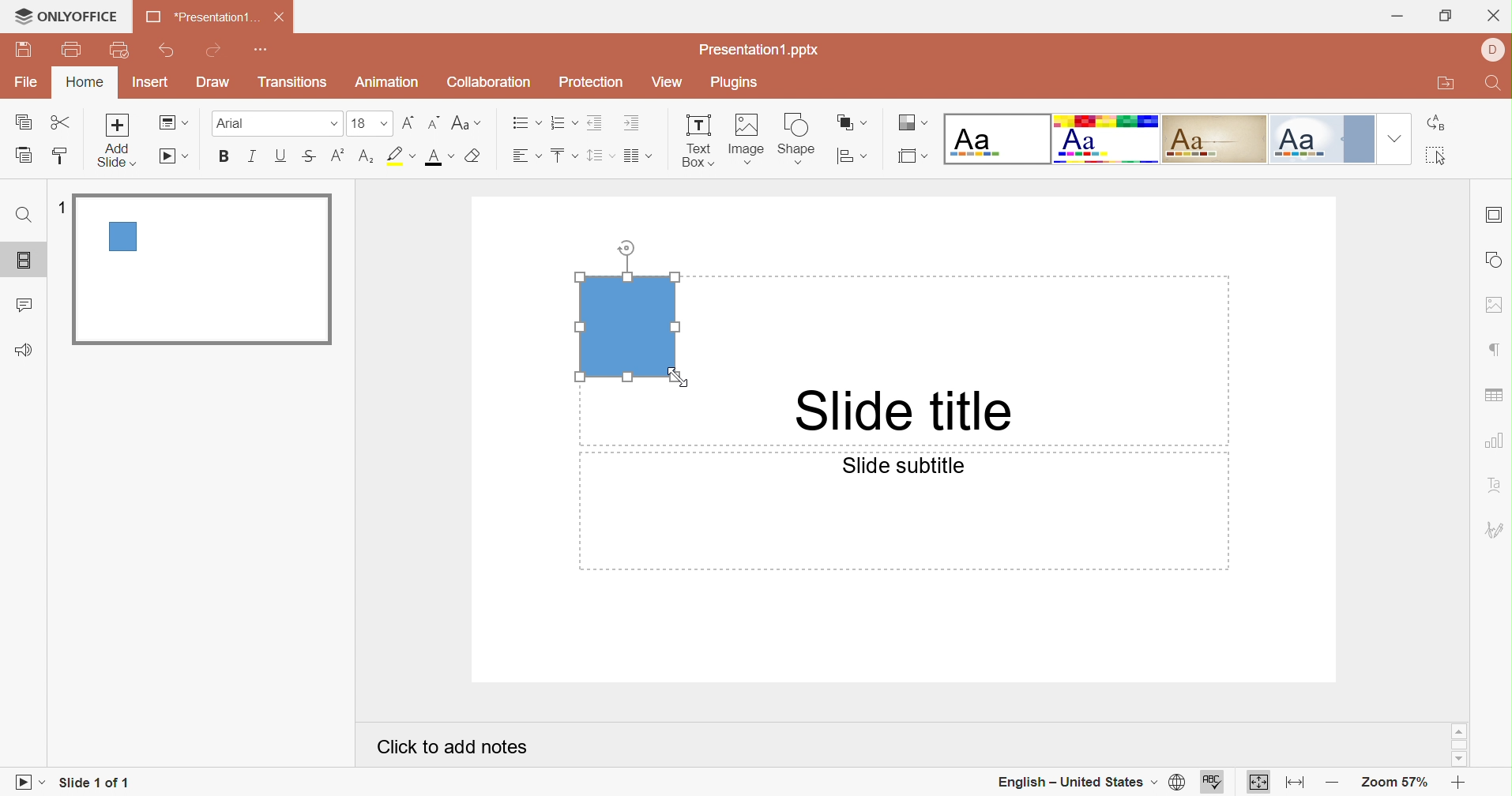  What do you see at coordinates (680, 379) in the screenshot?
I see `cursor` at bounding box center [680, 379].